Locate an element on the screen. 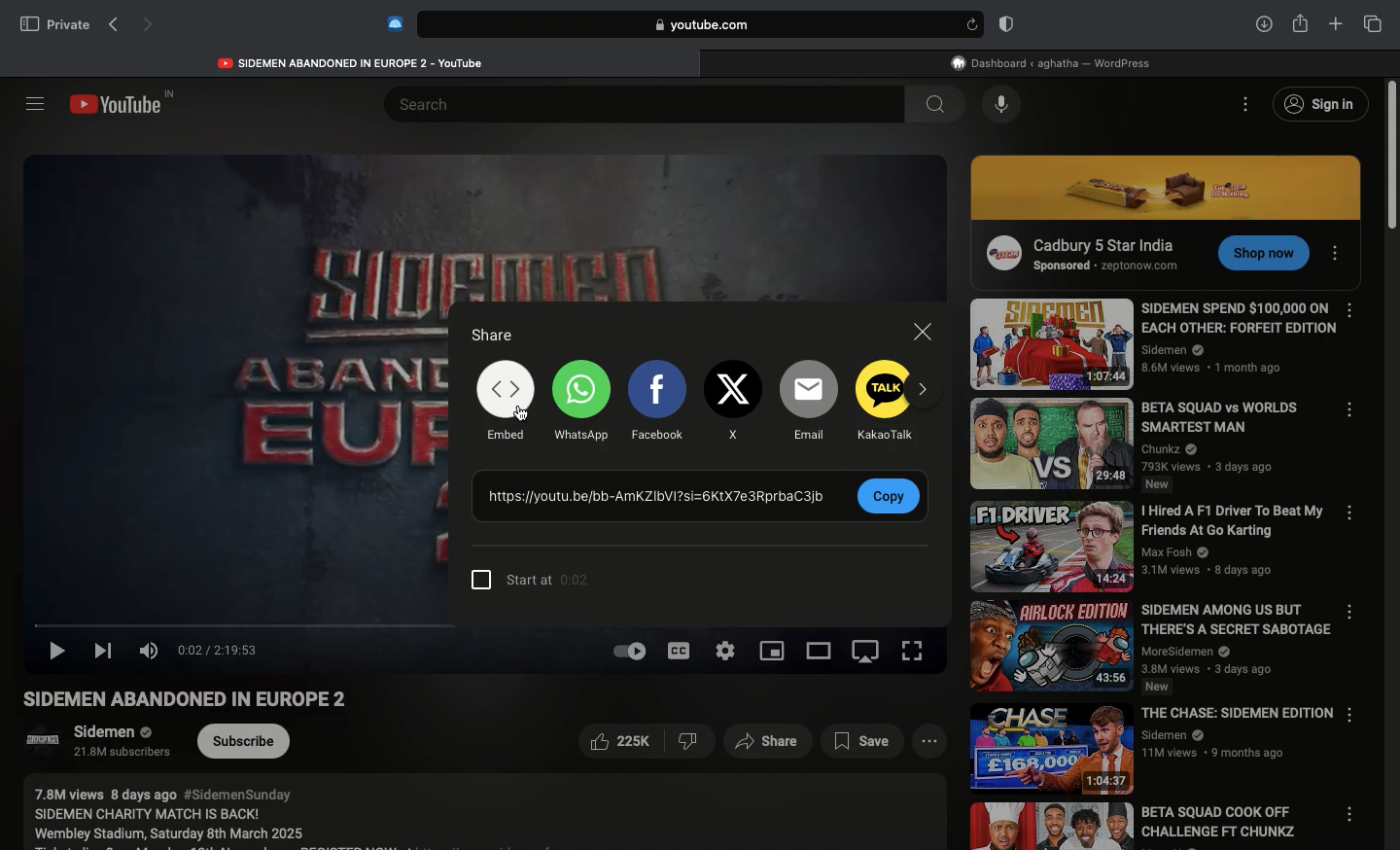 This screenshot has height=850, width=1400. X is located at coordinates (735, 399).